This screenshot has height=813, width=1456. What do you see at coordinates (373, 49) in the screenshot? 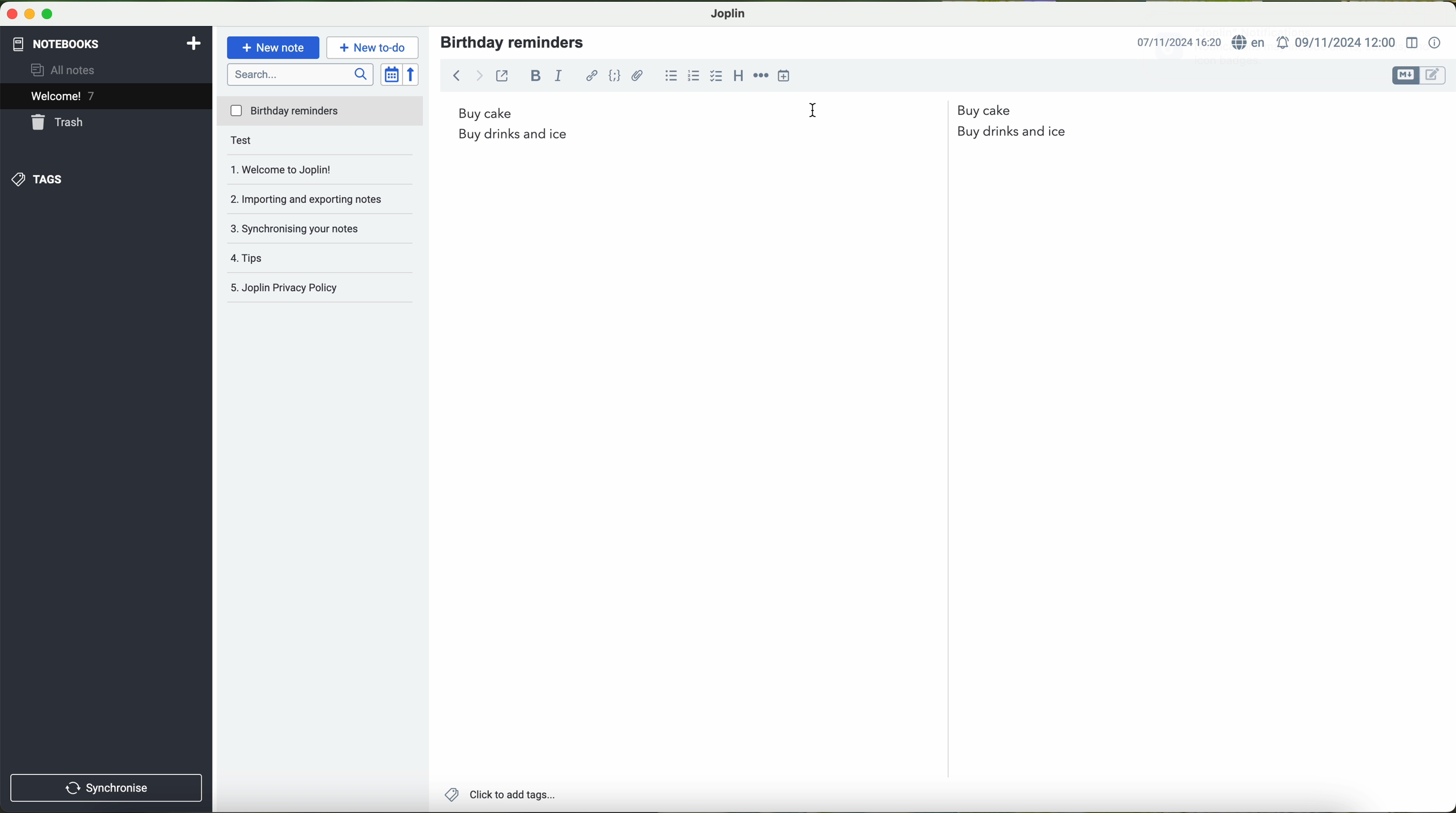
I see `new to-do button` at bounding box center [373, 49].